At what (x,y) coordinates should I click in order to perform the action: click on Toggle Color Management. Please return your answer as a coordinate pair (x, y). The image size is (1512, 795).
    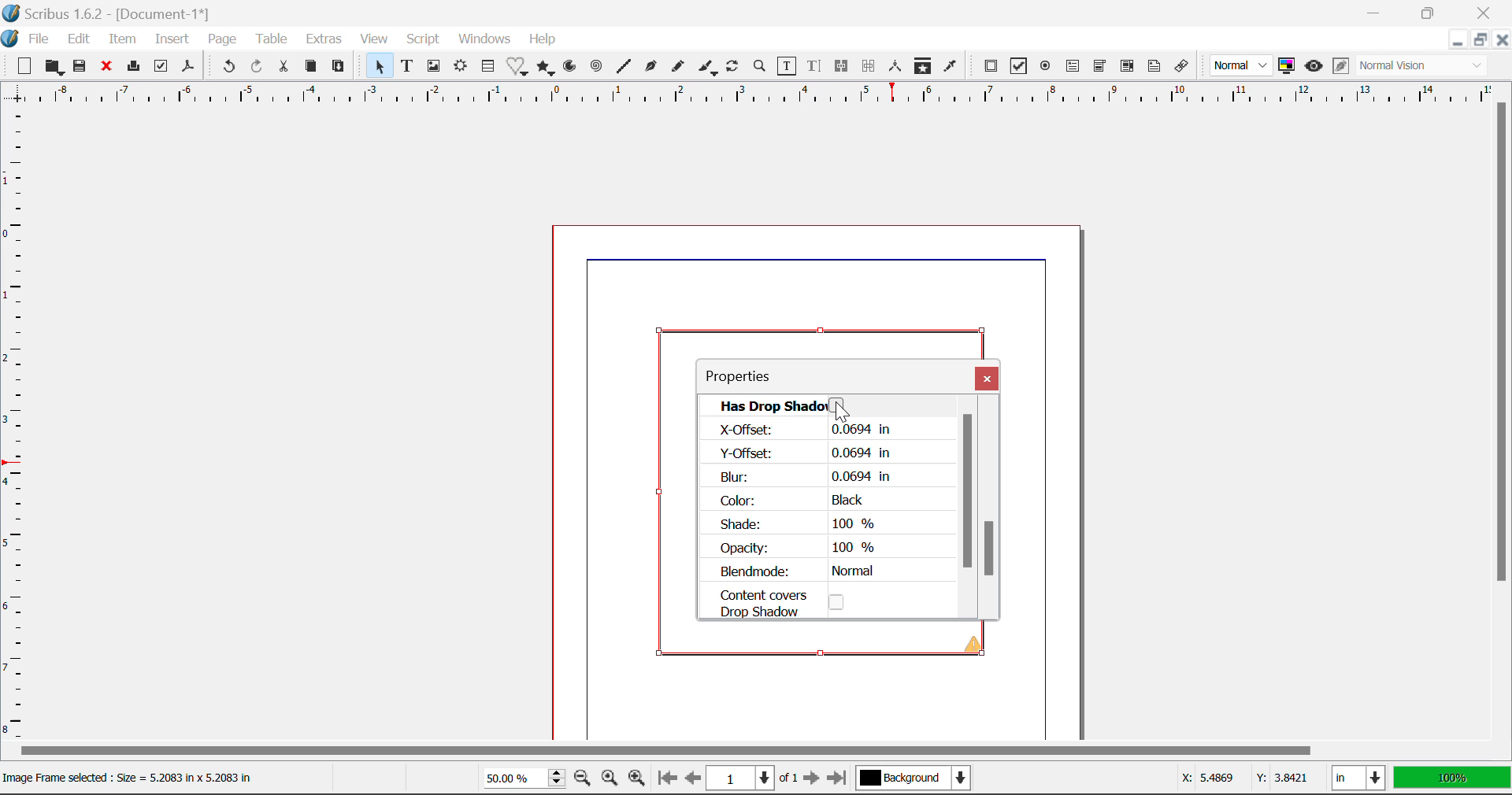
    Looking at the image, I should click on (1286, 66).